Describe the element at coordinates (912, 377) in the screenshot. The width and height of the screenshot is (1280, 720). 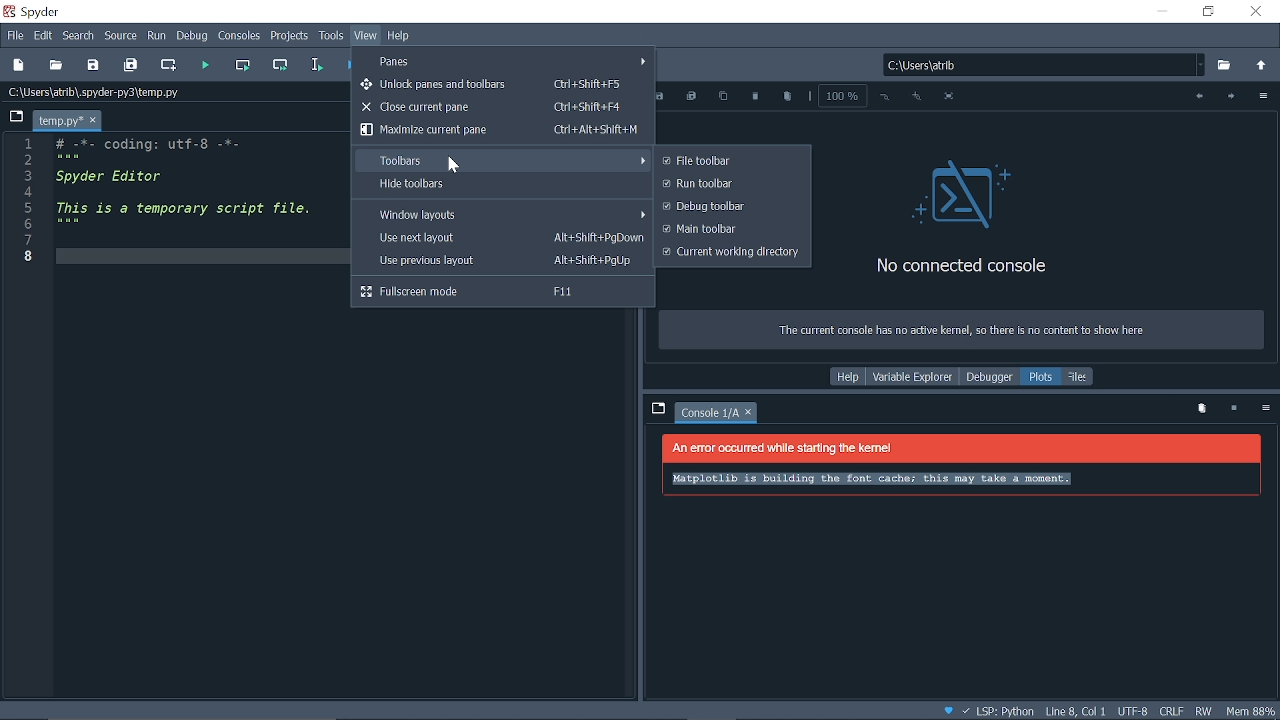
I see `Variable explorer` at that location.